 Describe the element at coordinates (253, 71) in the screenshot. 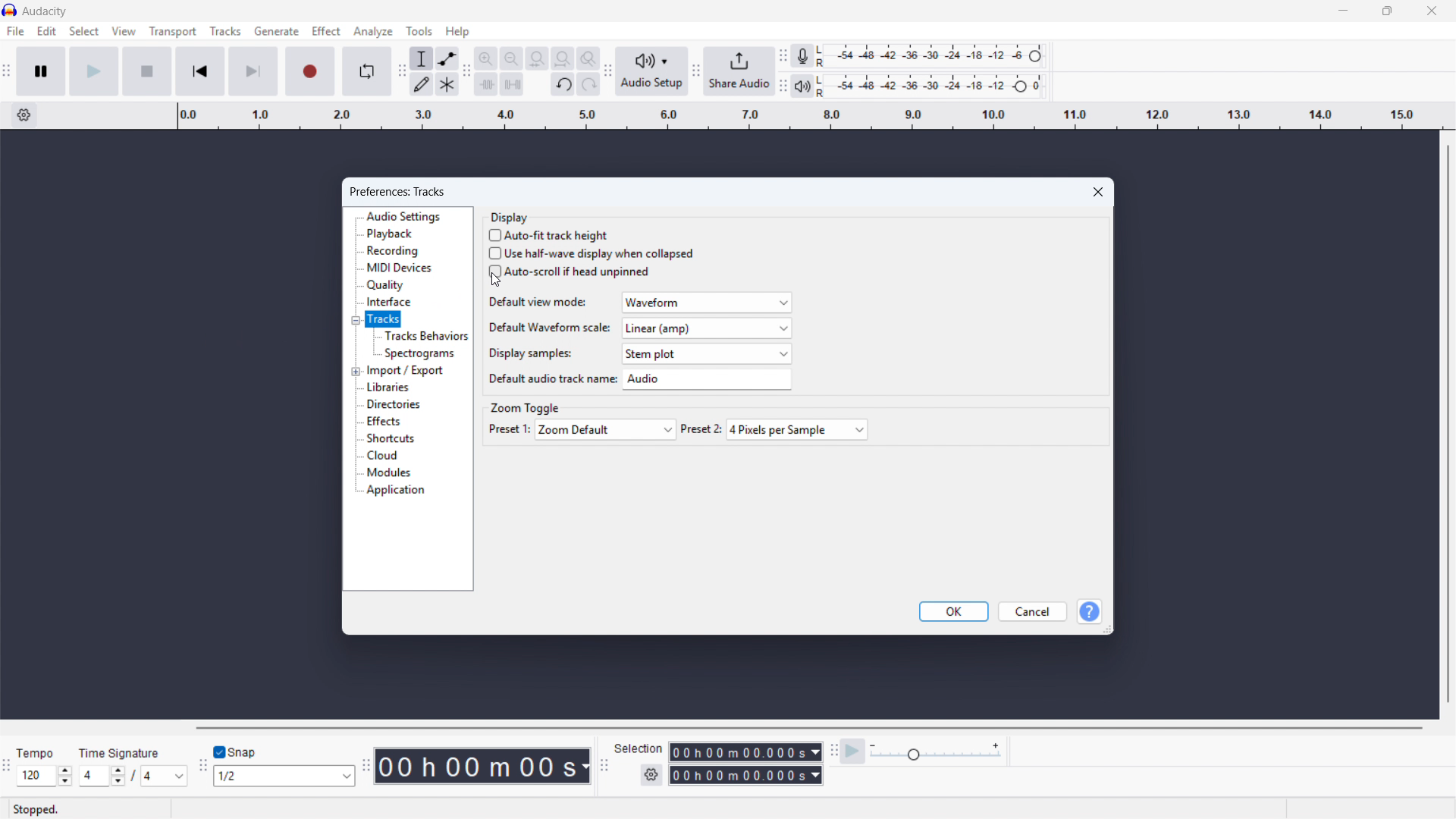

I see `skip to end` at that location.